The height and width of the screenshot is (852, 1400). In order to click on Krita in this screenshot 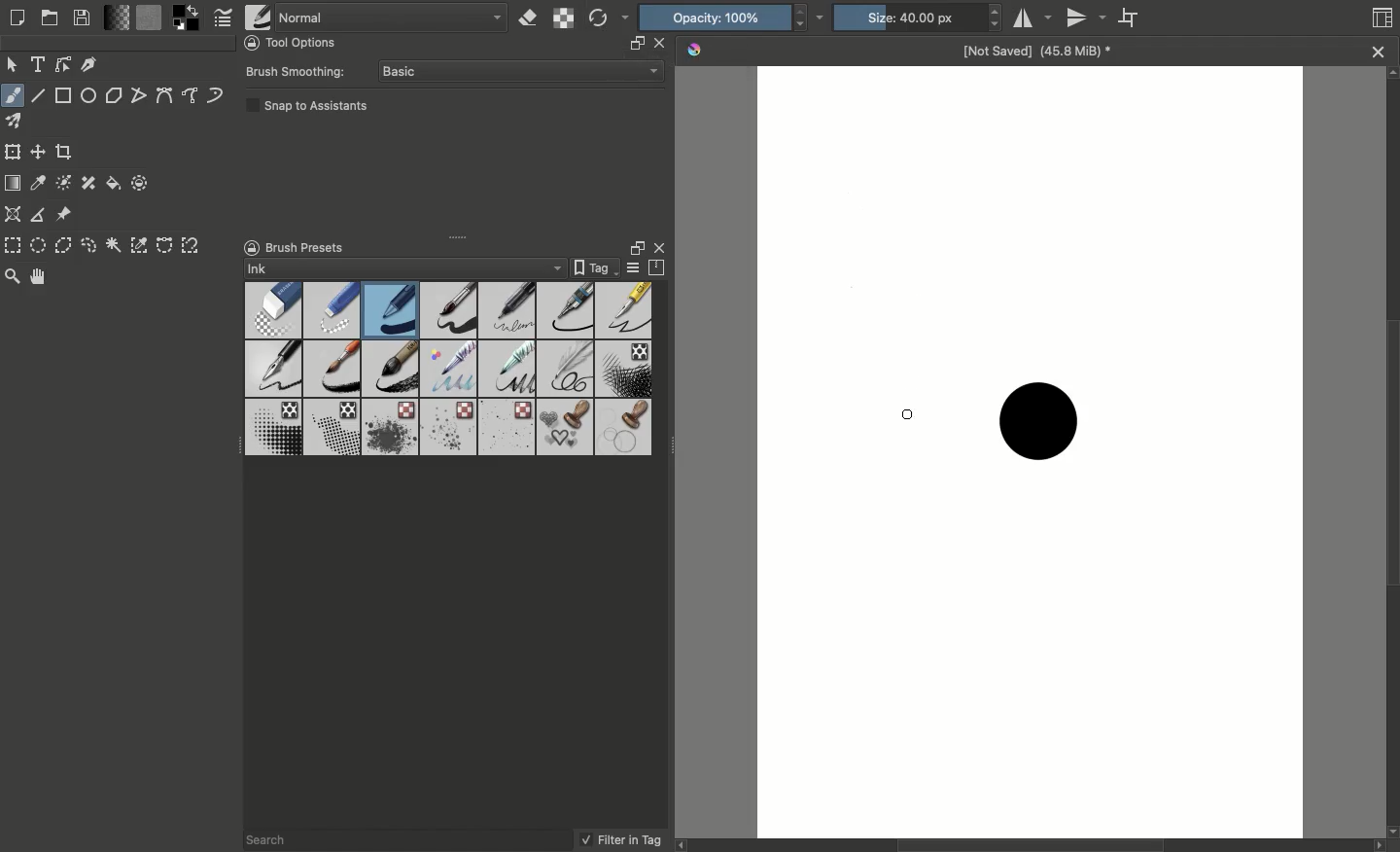, I will do `click(695, 51)`.